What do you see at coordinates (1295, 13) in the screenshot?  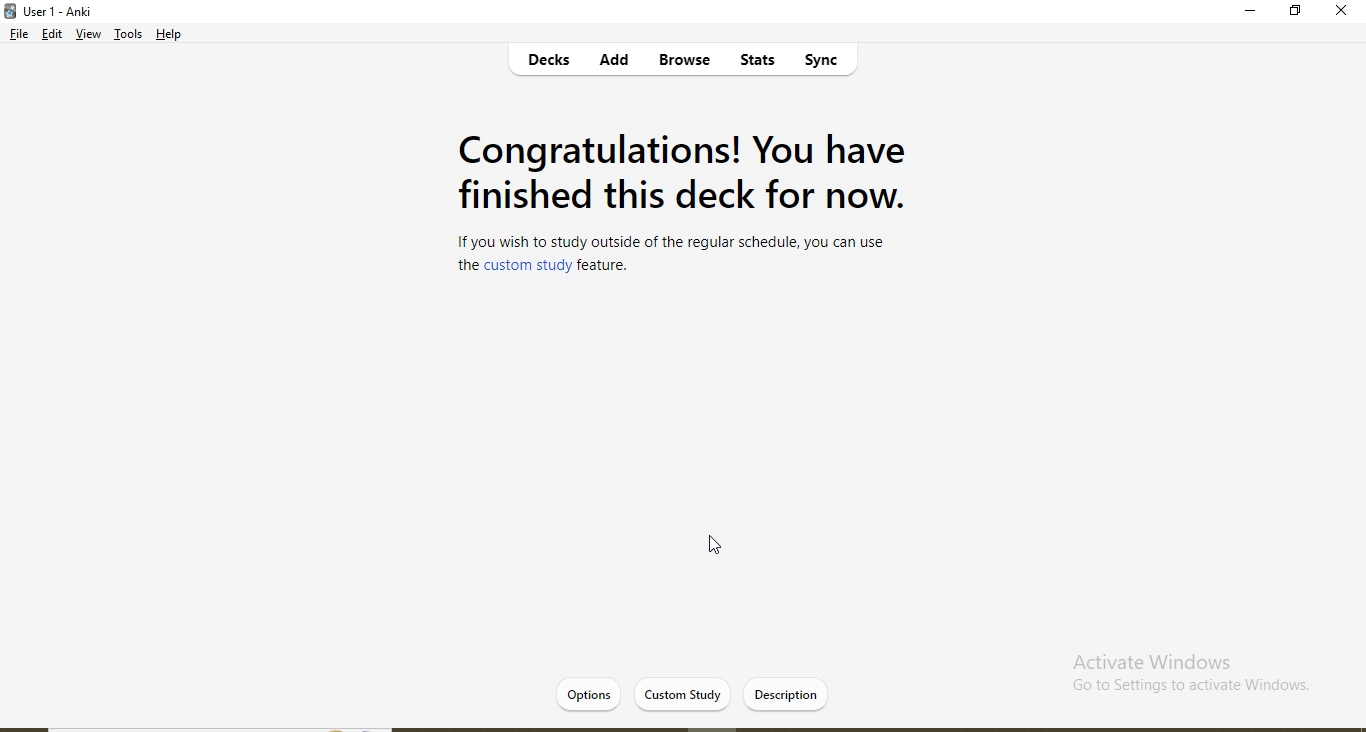 I see `restore` at bounding box center [1295, 13].